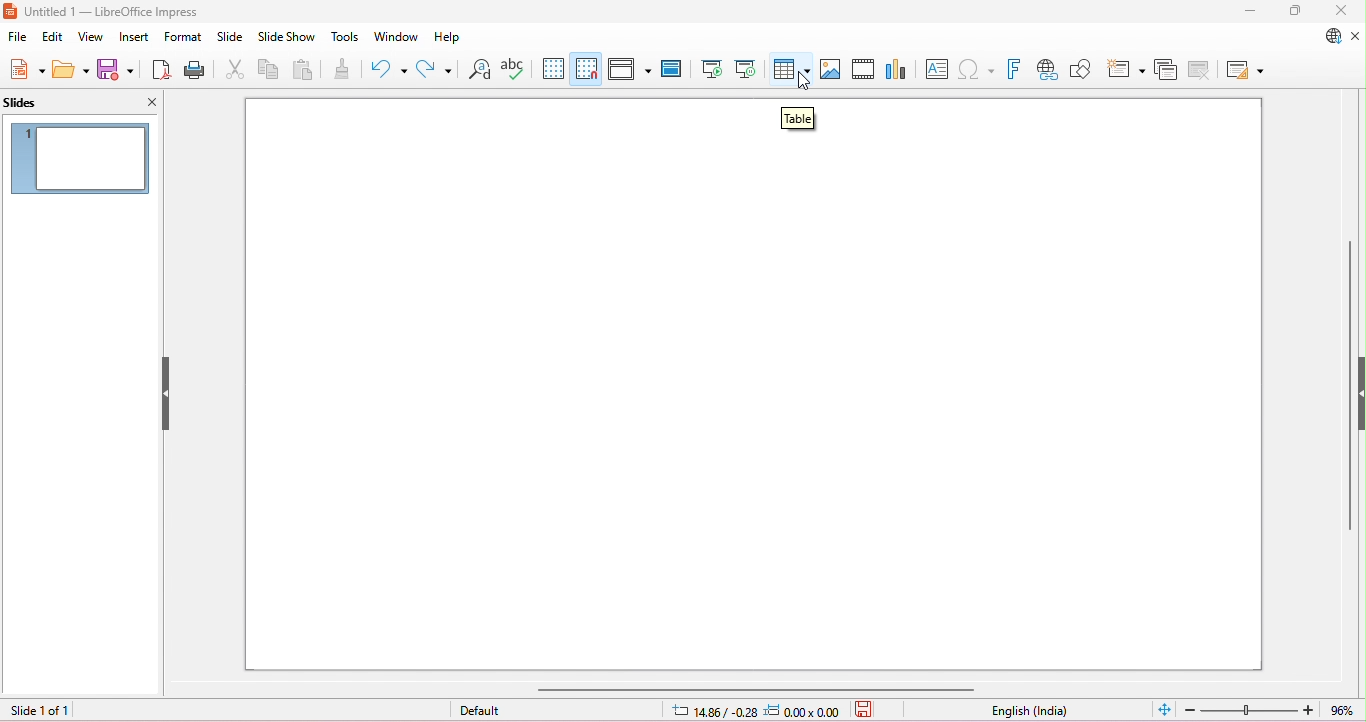  What do you see at coordinates (1202, 70) in the screenshot?
I see `delete slide` at bounding box center [1202, 70].